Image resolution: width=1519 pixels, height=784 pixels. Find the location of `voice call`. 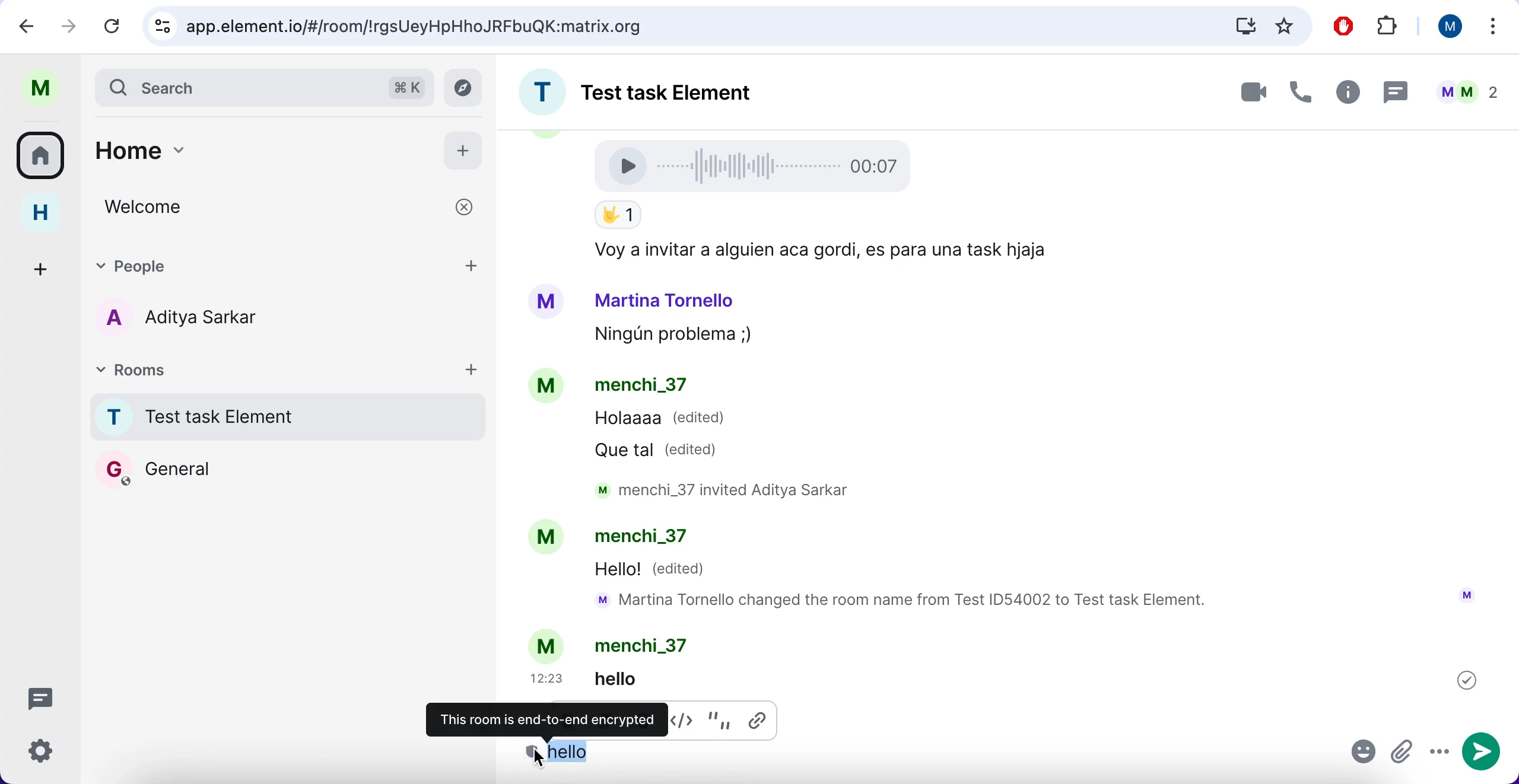

voice call is located at coordinates (1297, 95).